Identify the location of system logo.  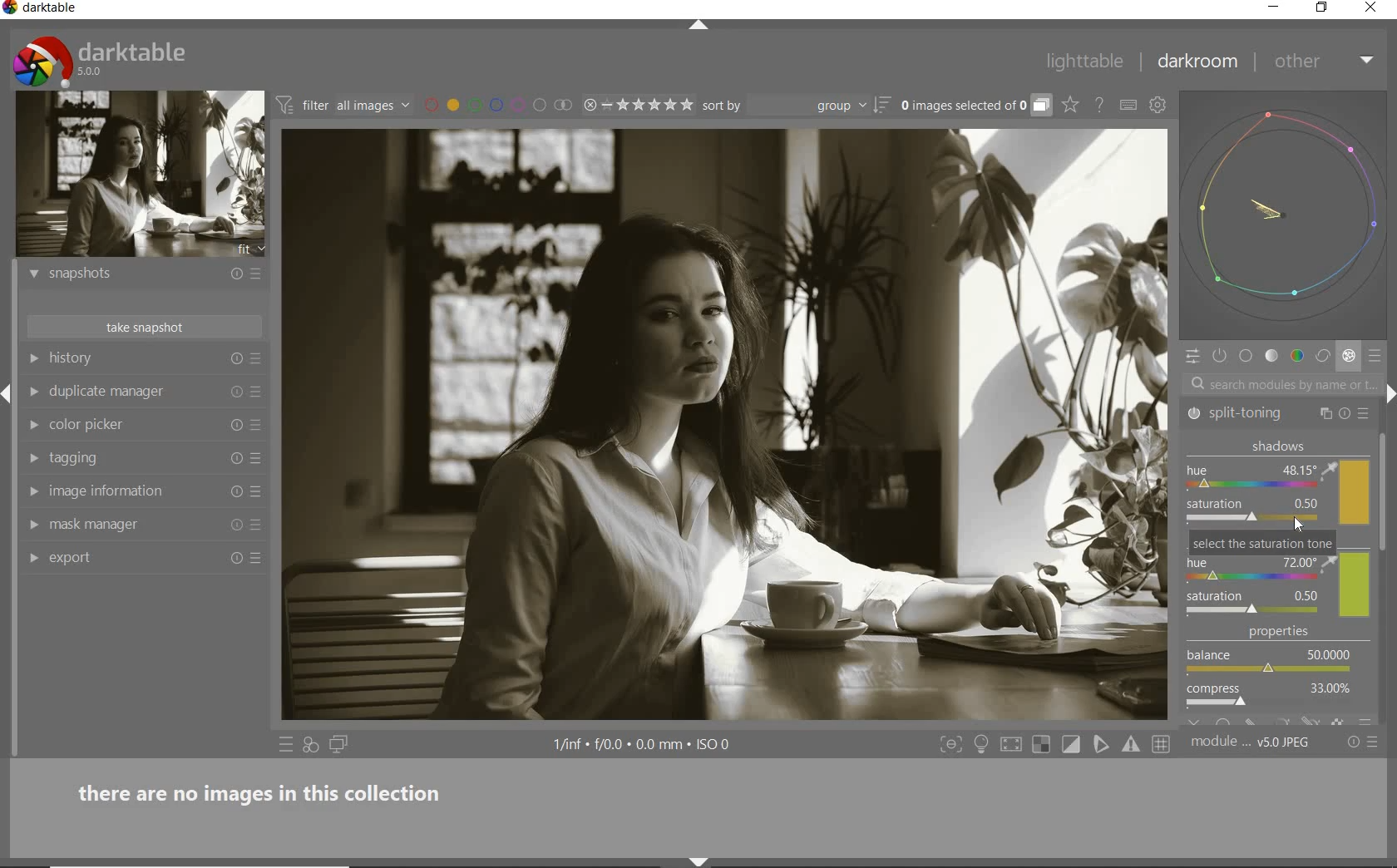
(101, 61).